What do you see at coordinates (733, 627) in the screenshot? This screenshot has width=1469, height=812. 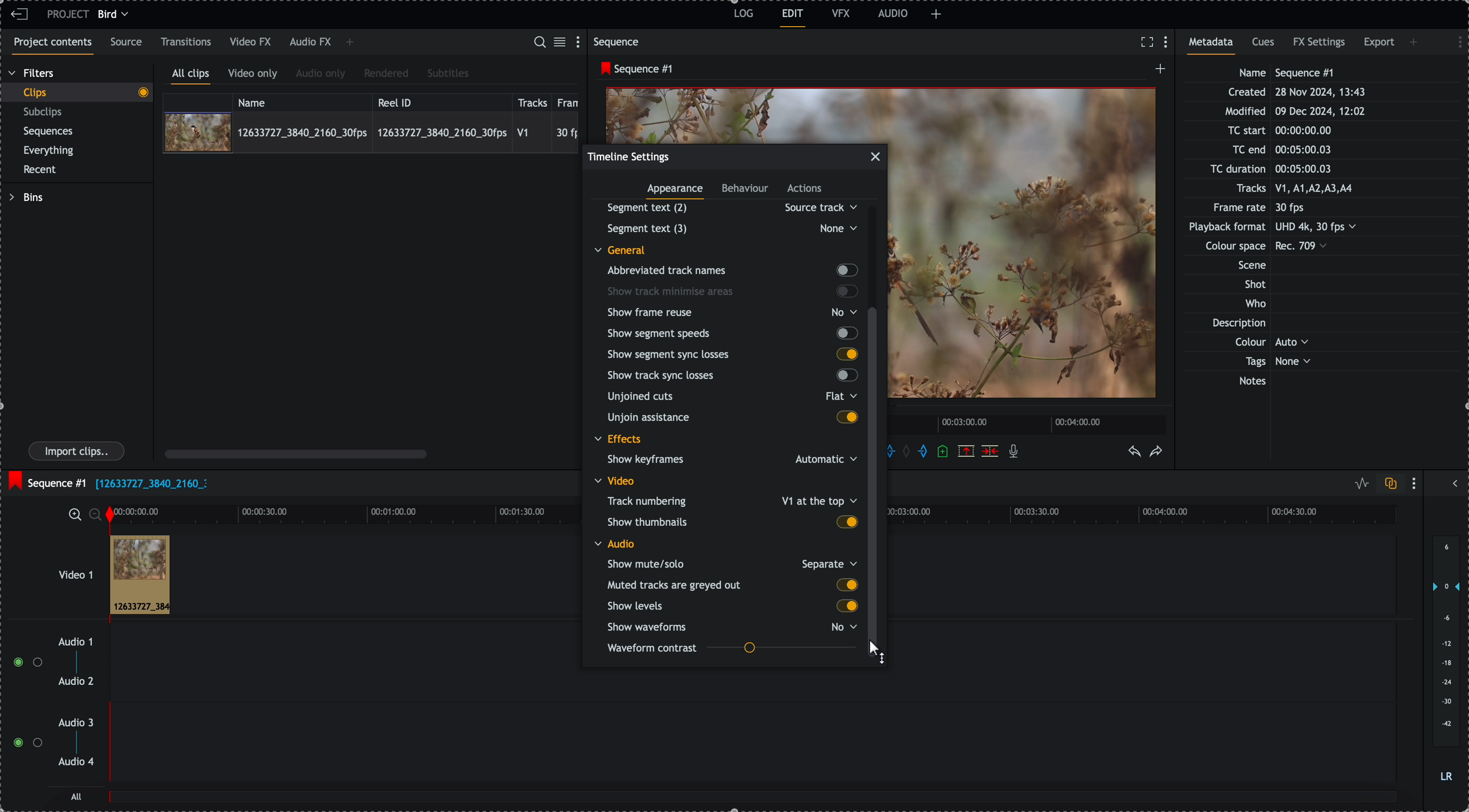 I see `show waveforms` at bounding box center [733, 627].